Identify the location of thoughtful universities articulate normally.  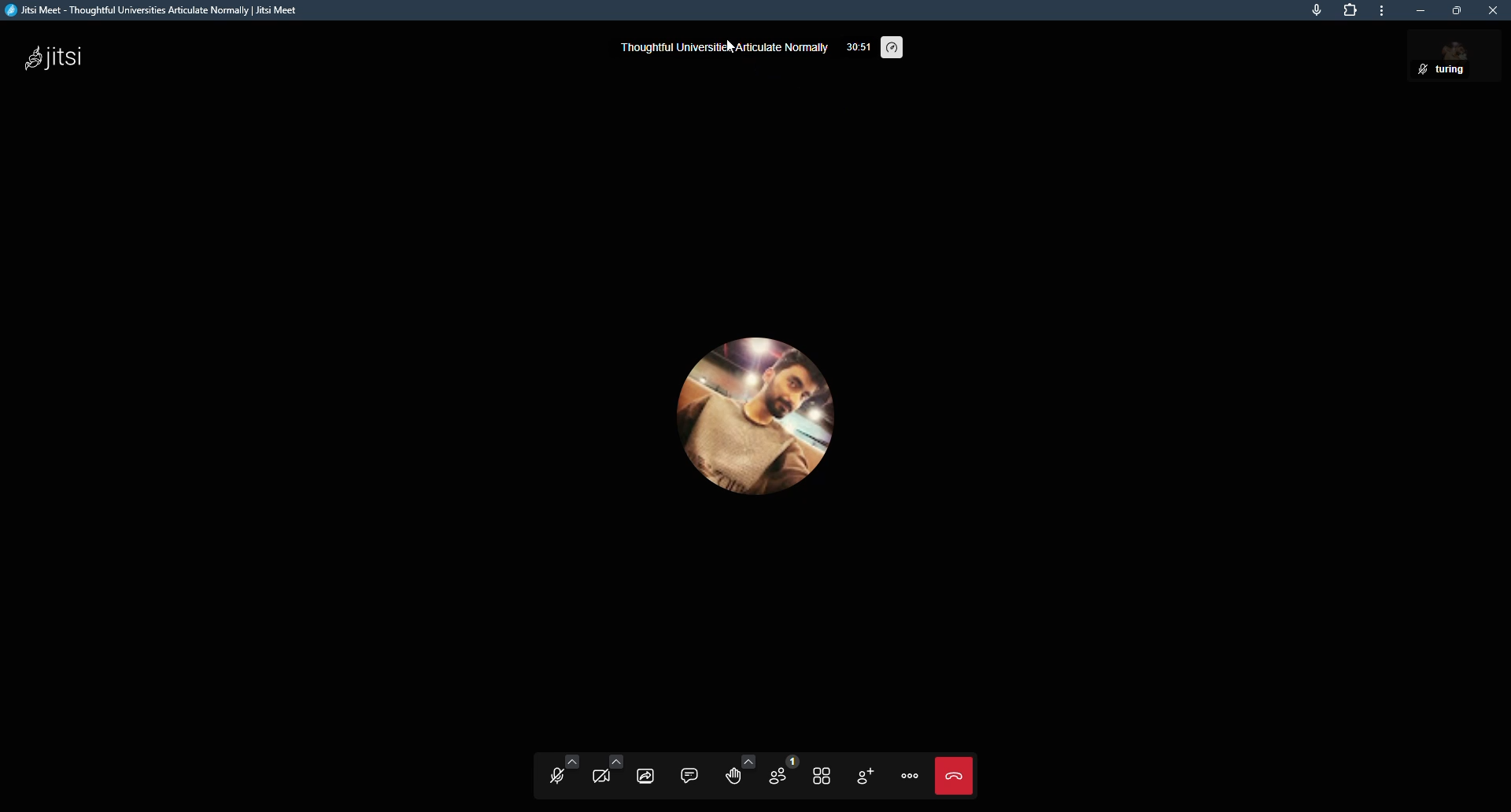
(722, 48).